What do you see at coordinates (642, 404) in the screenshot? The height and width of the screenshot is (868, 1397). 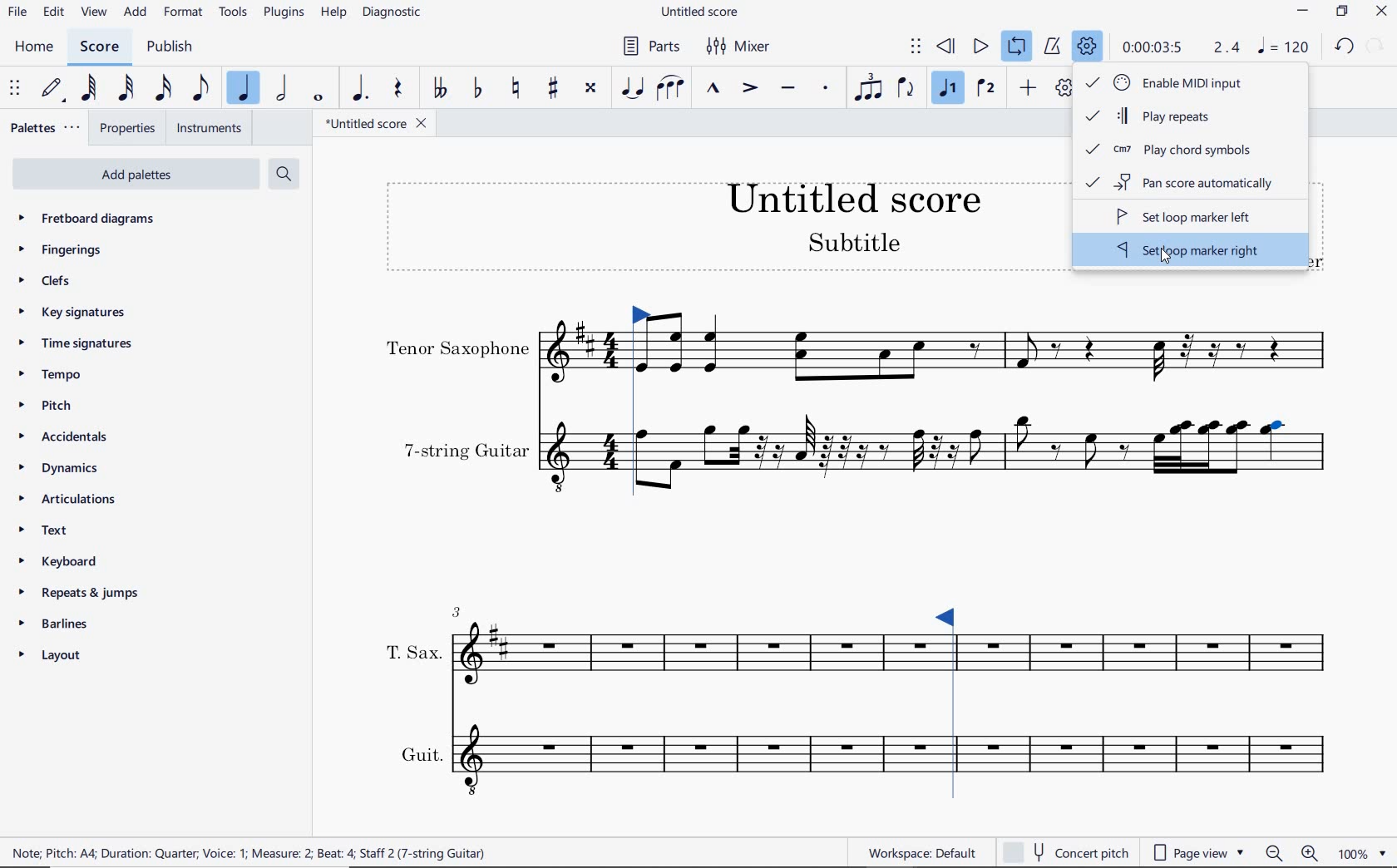 I see `Loop Market set left` at bounding box center [642, 404].